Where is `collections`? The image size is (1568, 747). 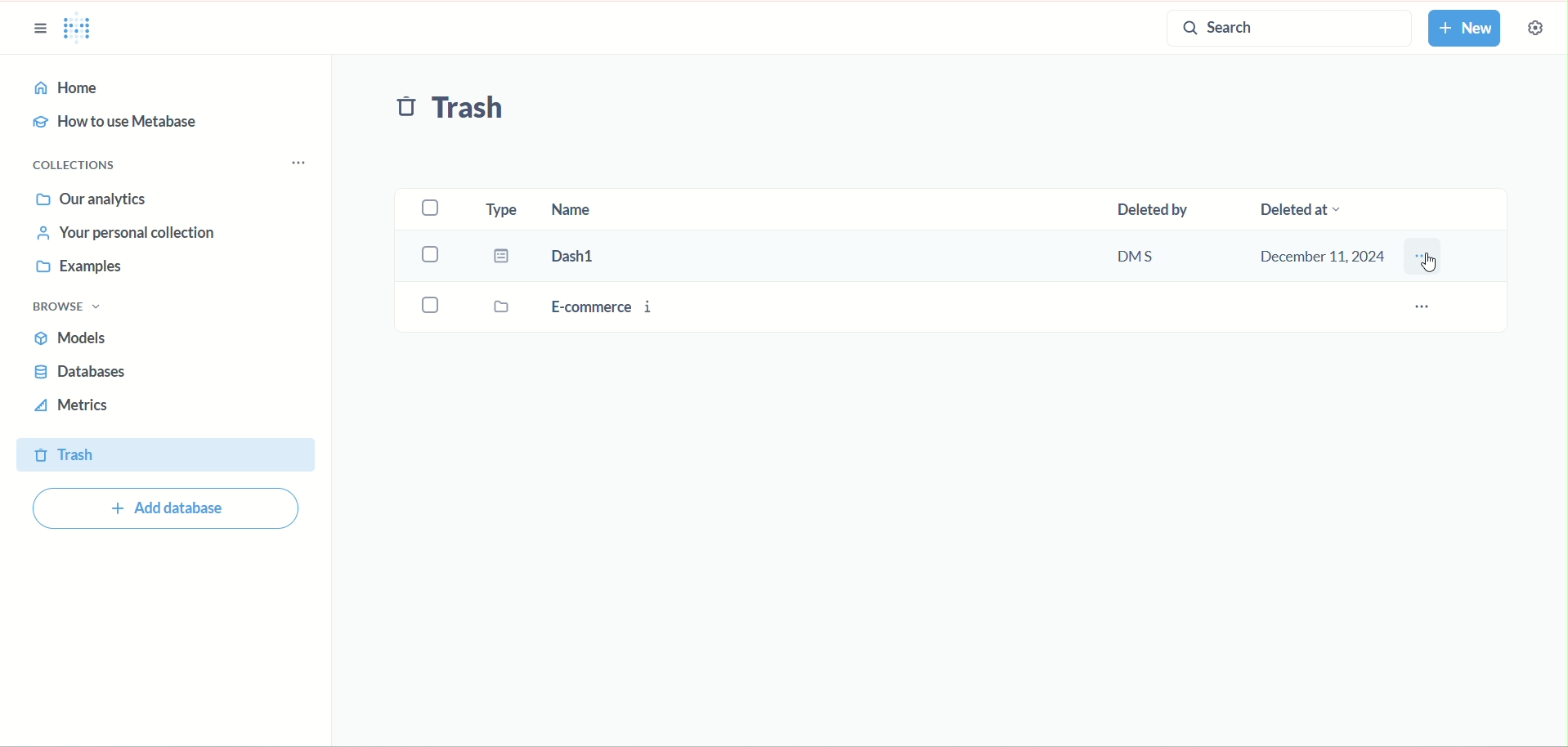 collections is located at coordinates (74, 163).